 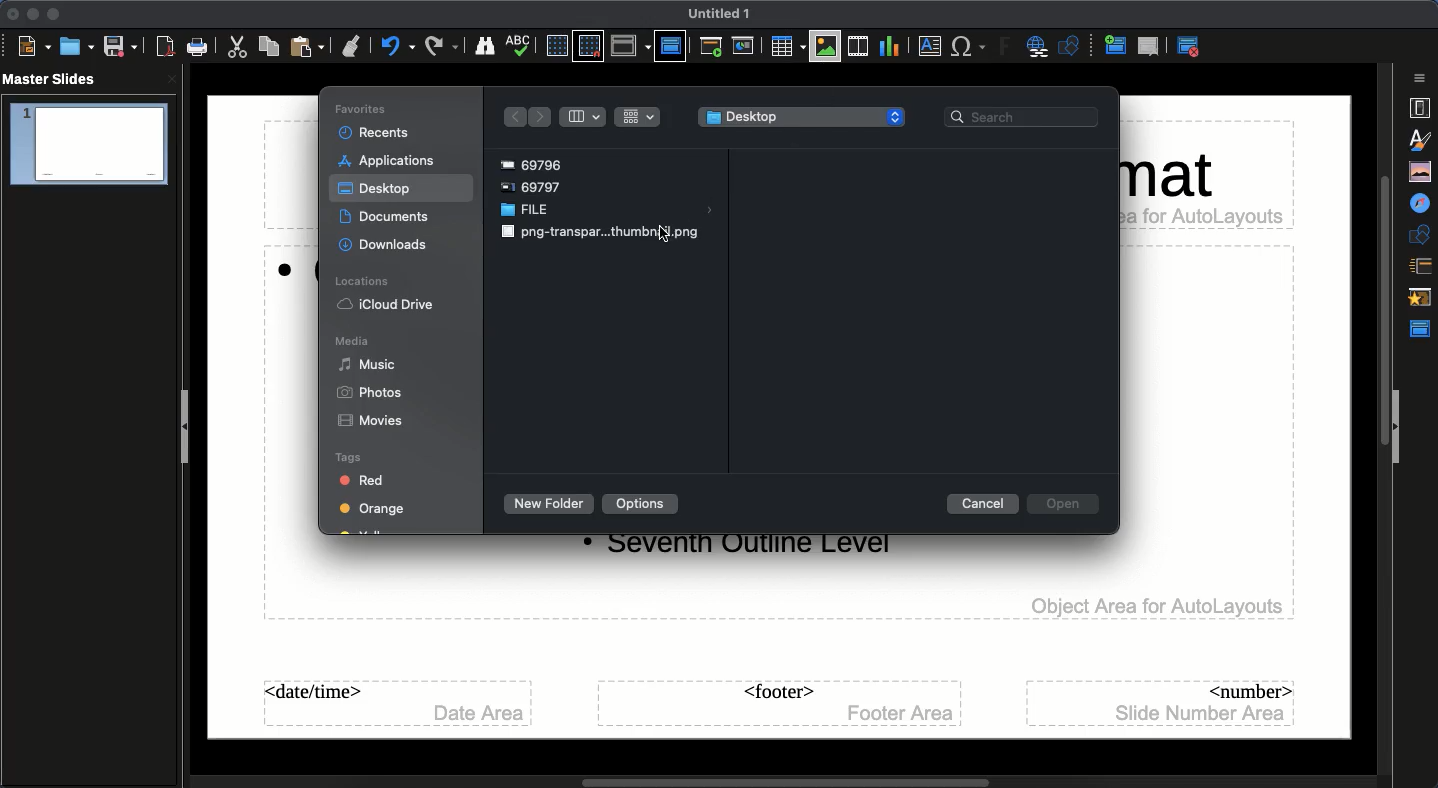 What do you see at coordinates (541, 117) in the screenshot?
I see `Forward` at bounding box center [541, 117].